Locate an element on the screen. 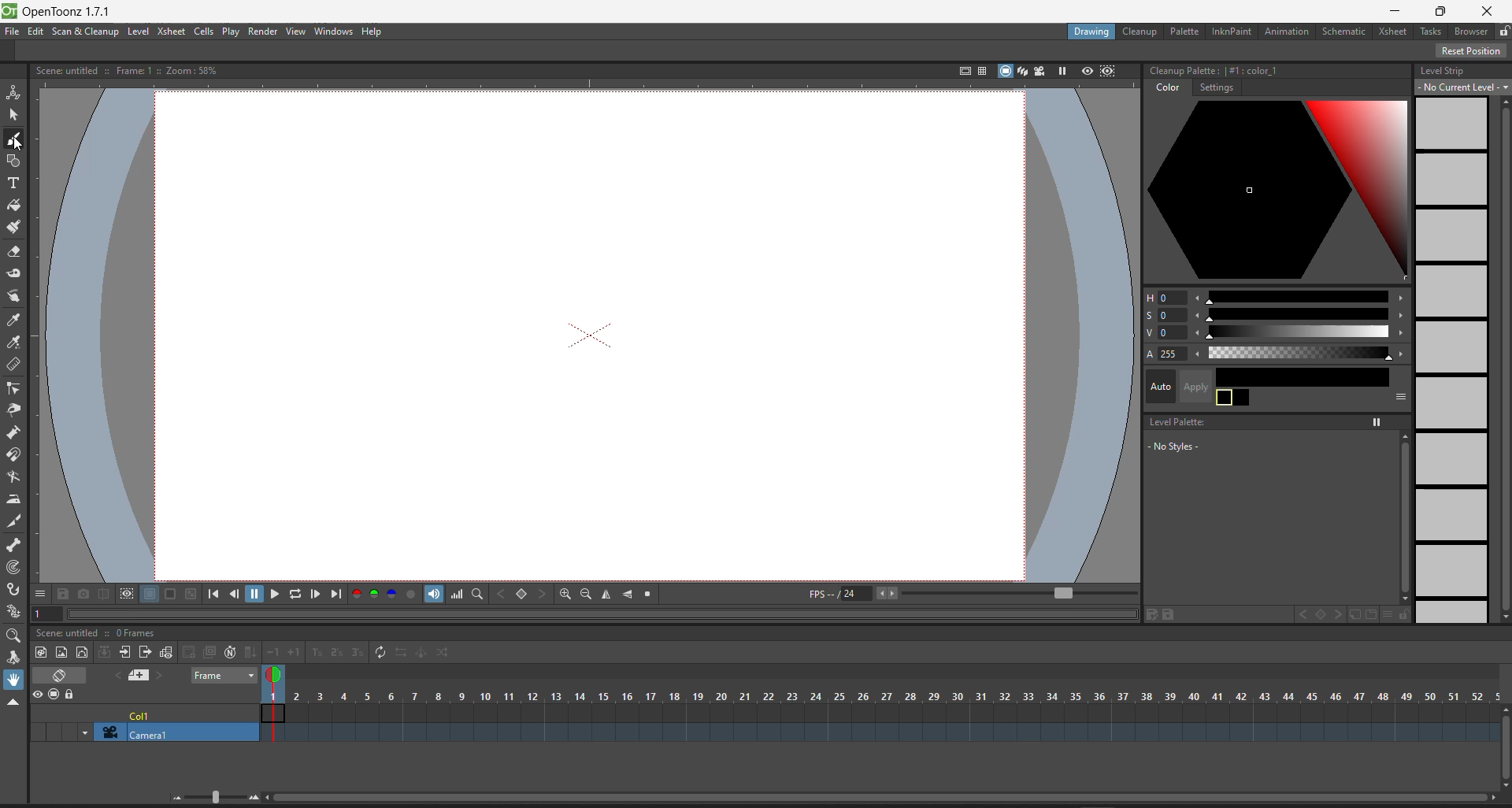 The image size is (1512, 808). animate tool is located at coordinates (15, 92).